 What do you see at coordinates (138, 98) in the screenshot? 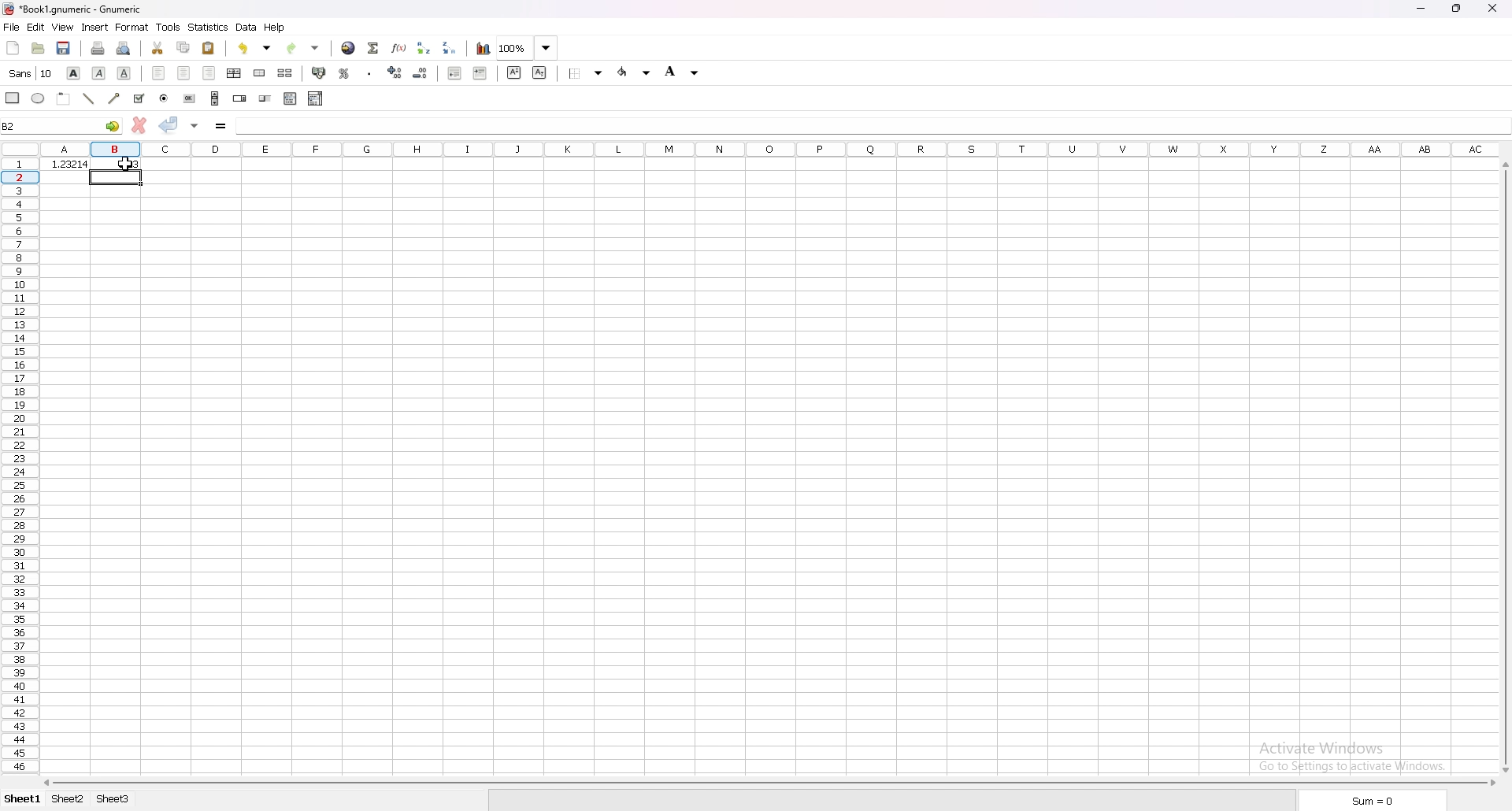
I see `tick box` at bounding box center [138, 98].